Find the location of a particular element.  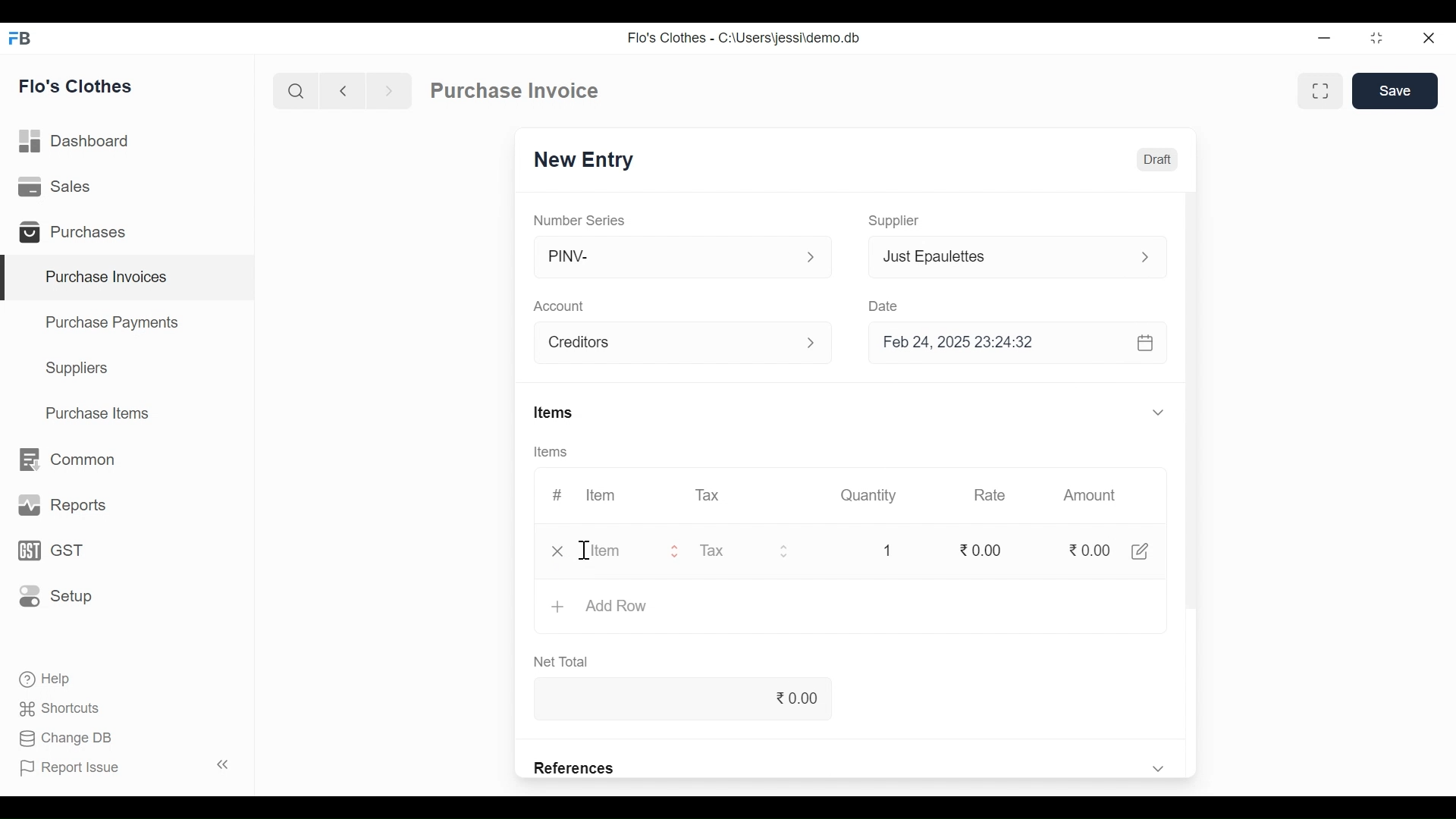

Purchase Invoices is located at coordinates (130, 278).